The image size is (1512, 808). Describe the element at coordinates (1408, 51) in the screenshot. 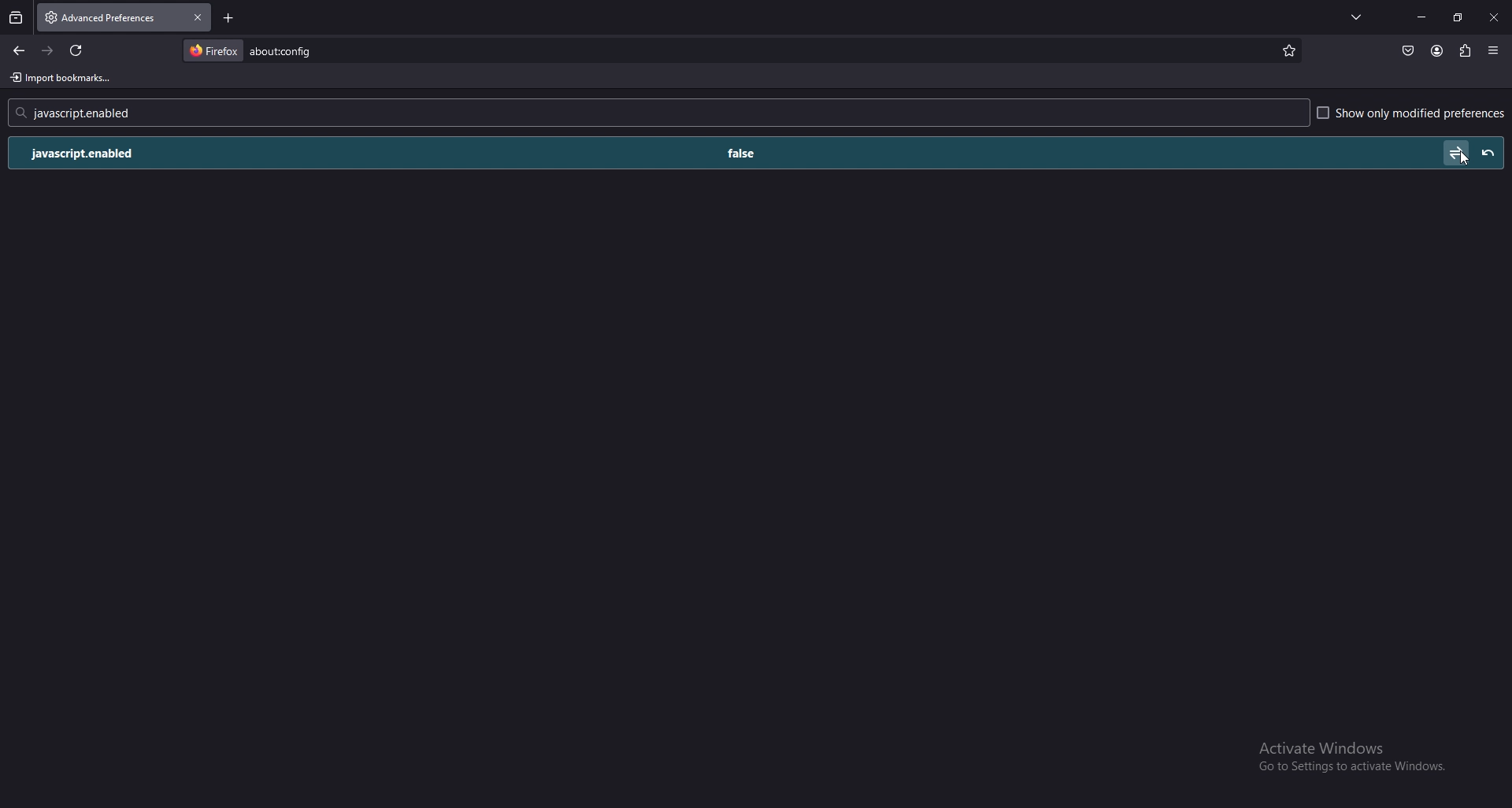

I see `save to pocket` at that location.